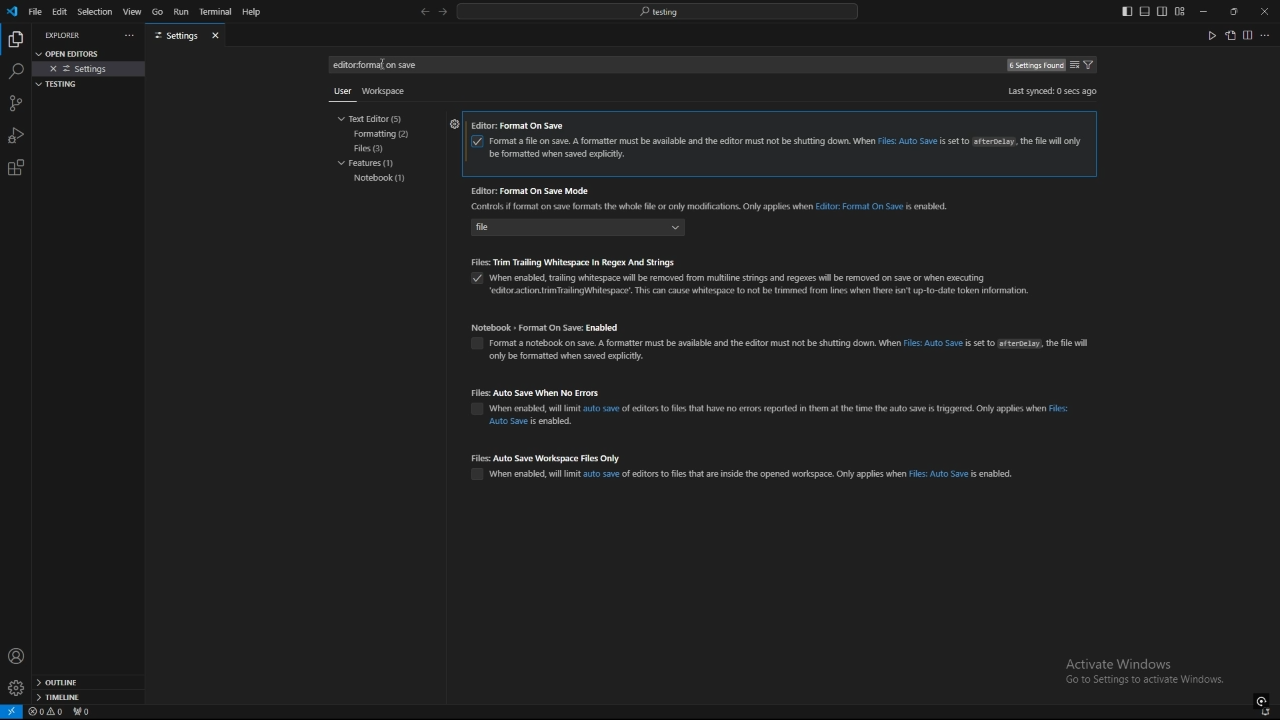 The width and height of the screenshot is (1280, 720). Describe the element at coordinates (752, 474) in the screenshot. I see `files auto save workspace files only informations` at that location.